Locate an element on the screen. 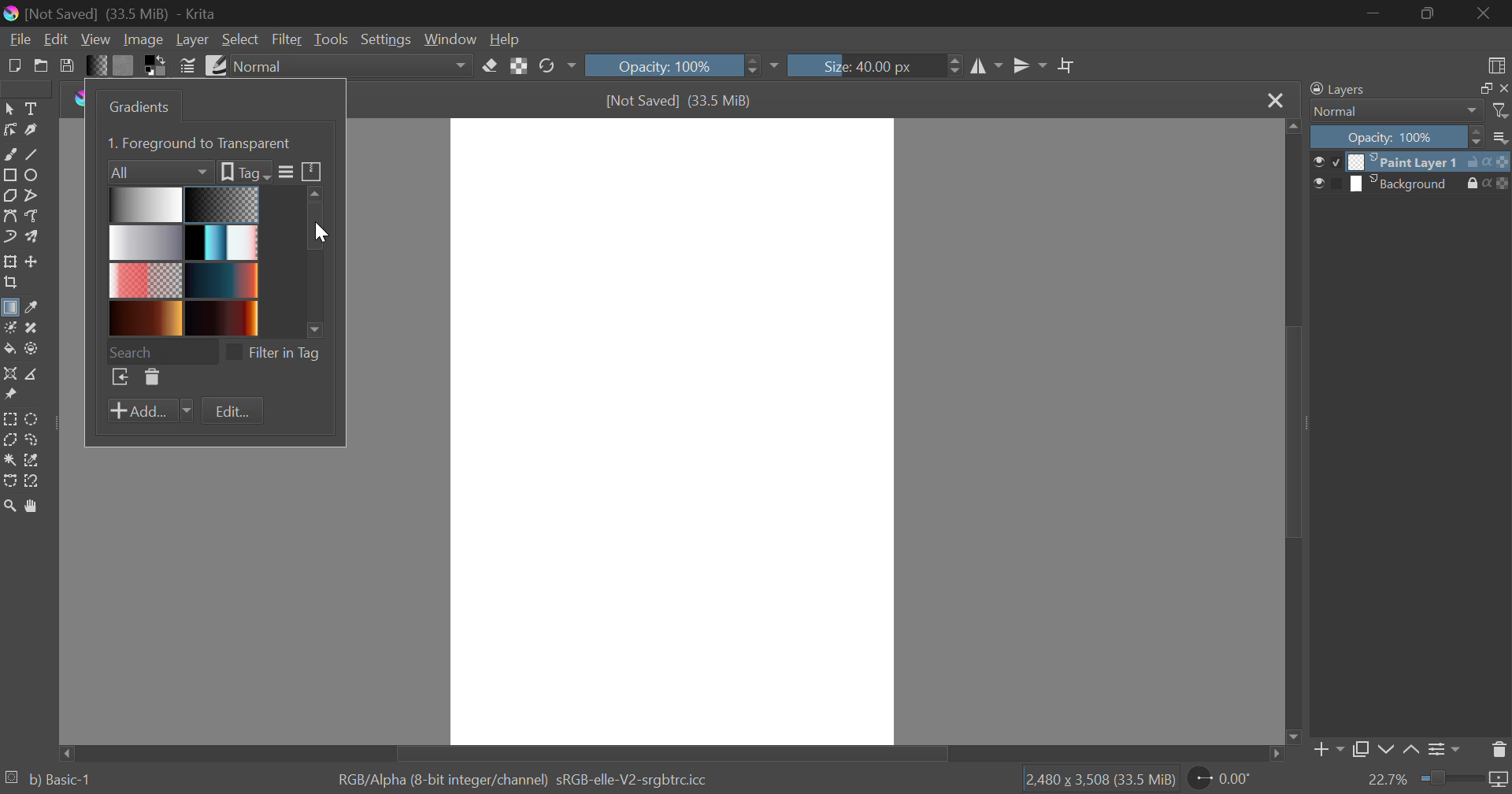  Opacity: 100% is located at coordinates (680, 65).